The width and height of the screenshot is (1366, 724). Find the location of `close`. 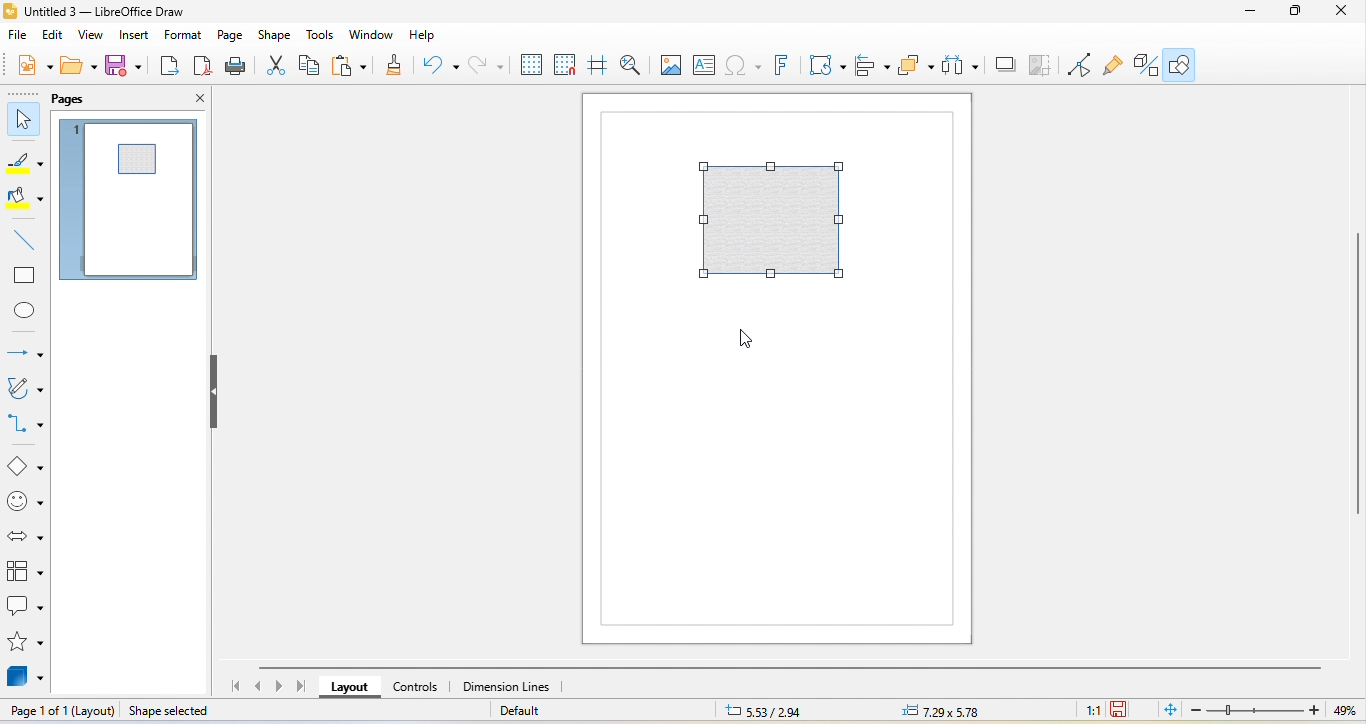

close is located at coordinates (1346, 15).